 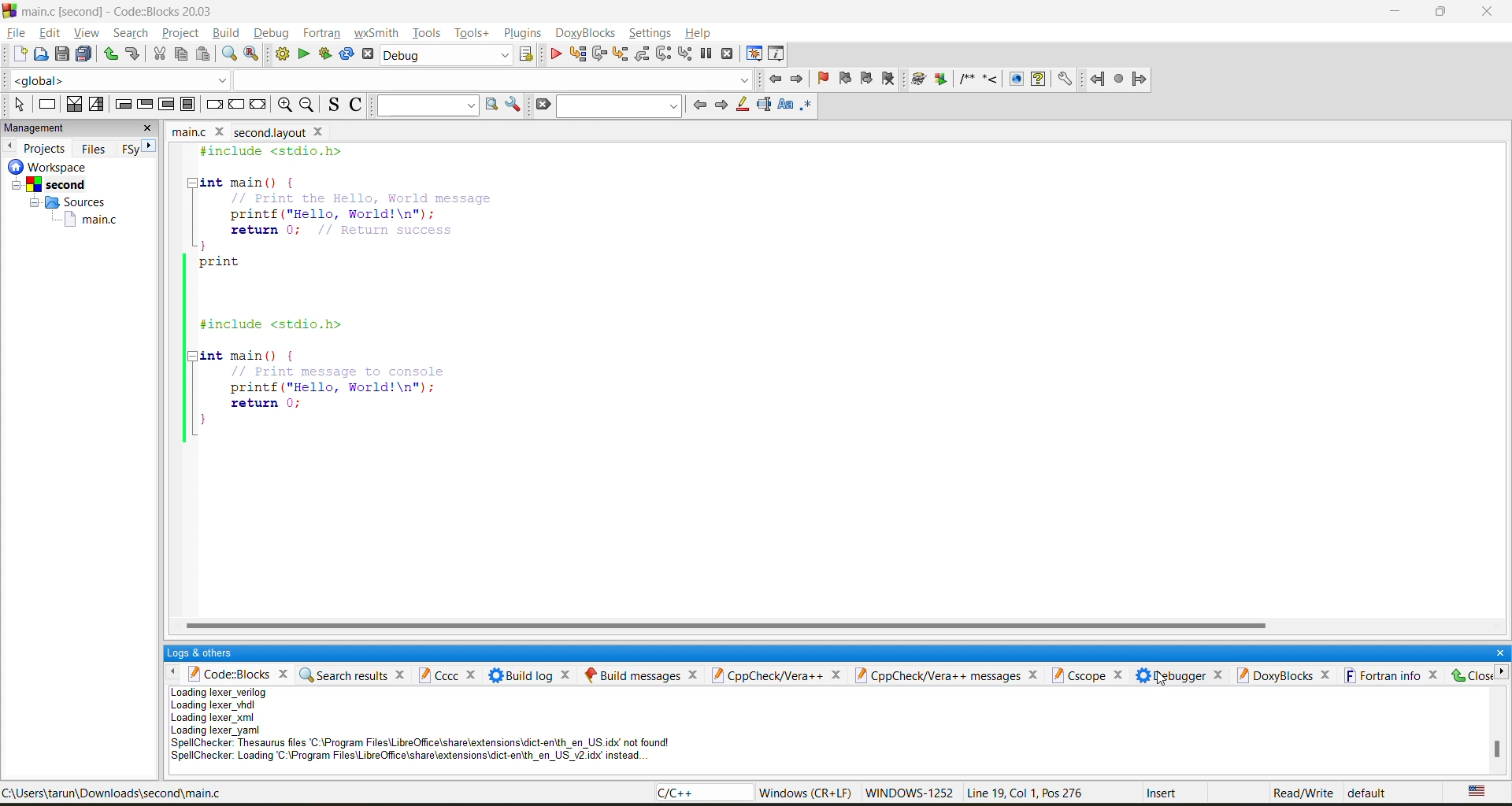 I want to click on tools, so click(x=426, y=33).